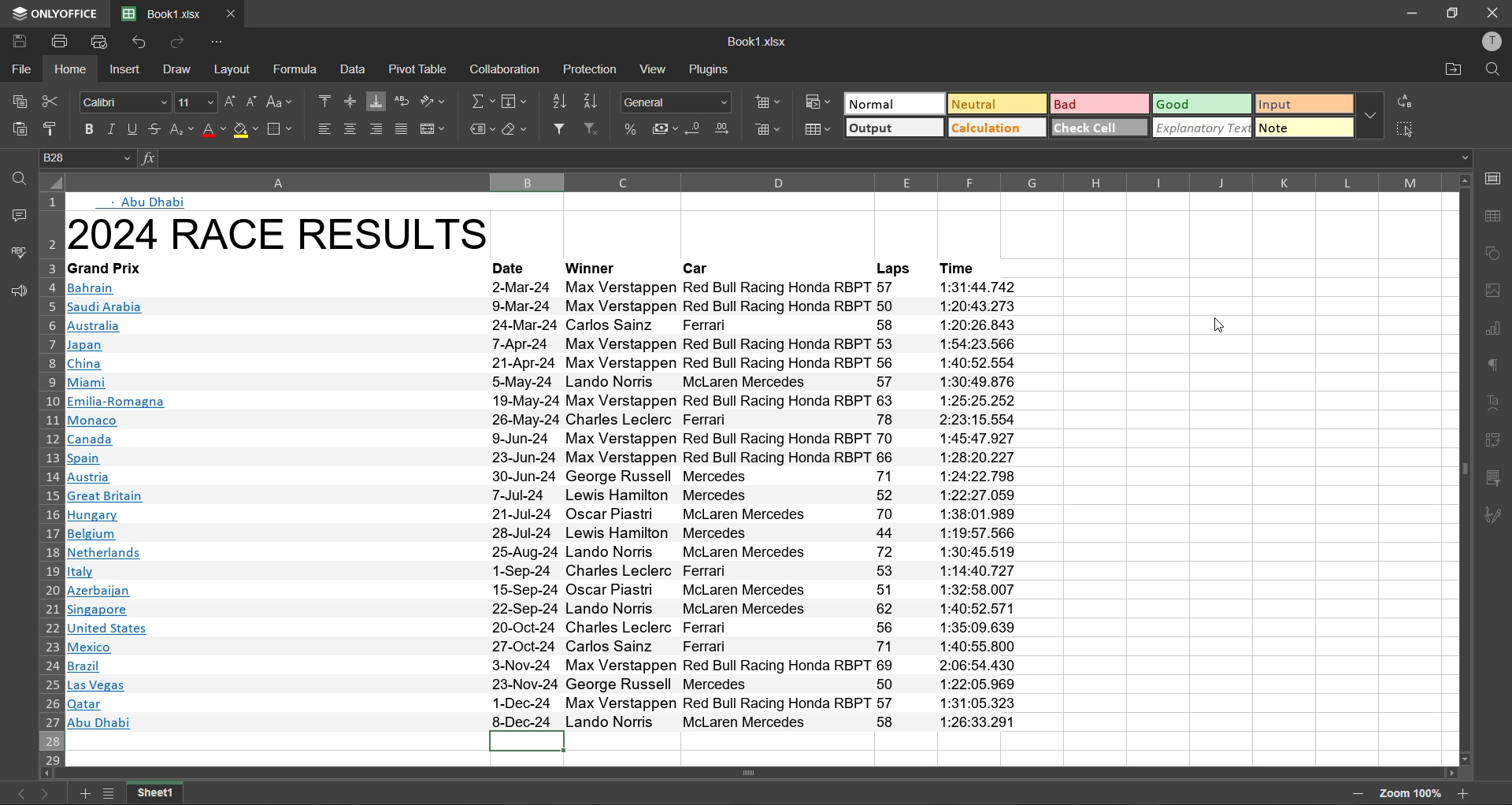  Describe the element at coordinates (819, 132) in the screenshot. I see `format as table` at that location.